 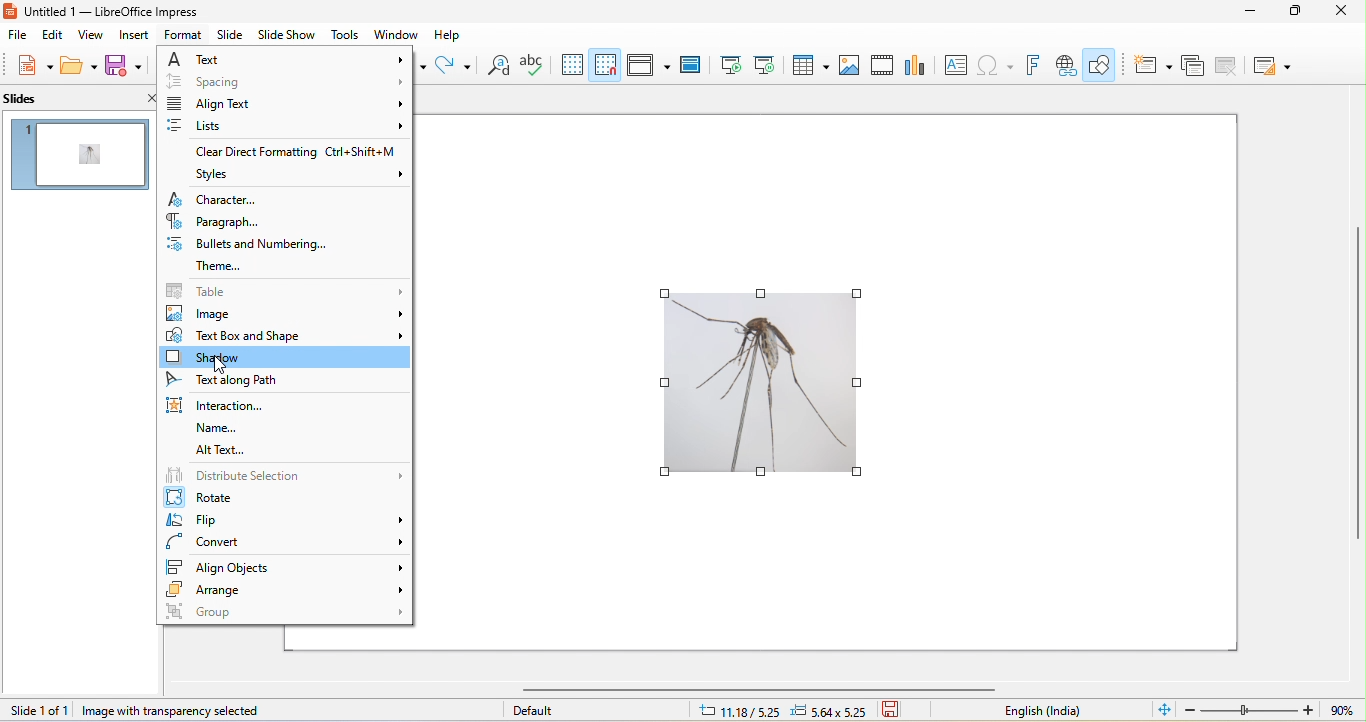 I want to click on minimize, so click(x=1256, y=12).